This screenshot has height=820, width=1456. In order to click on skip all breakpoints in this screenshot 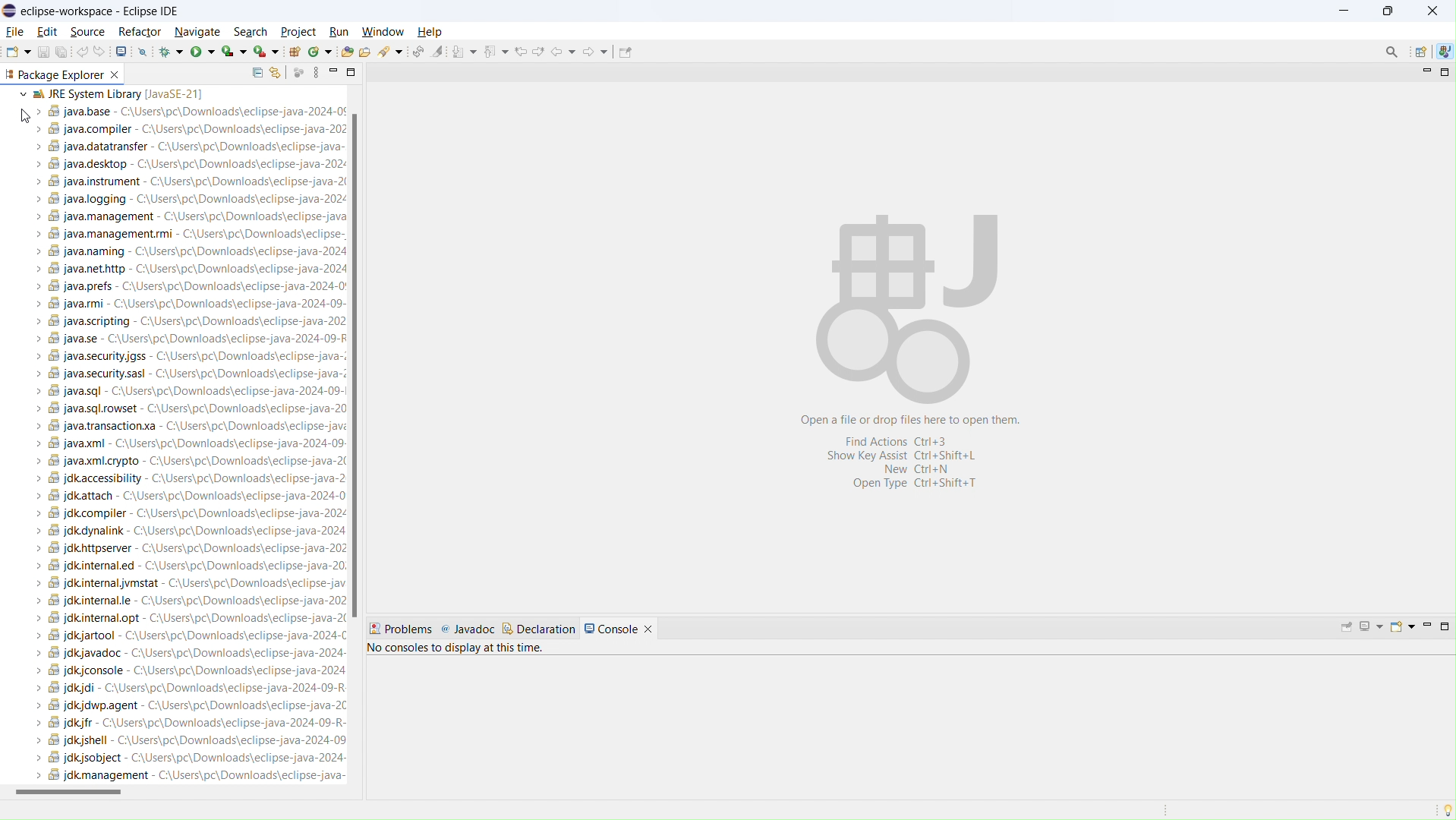, I will do `click(143, 51)`.